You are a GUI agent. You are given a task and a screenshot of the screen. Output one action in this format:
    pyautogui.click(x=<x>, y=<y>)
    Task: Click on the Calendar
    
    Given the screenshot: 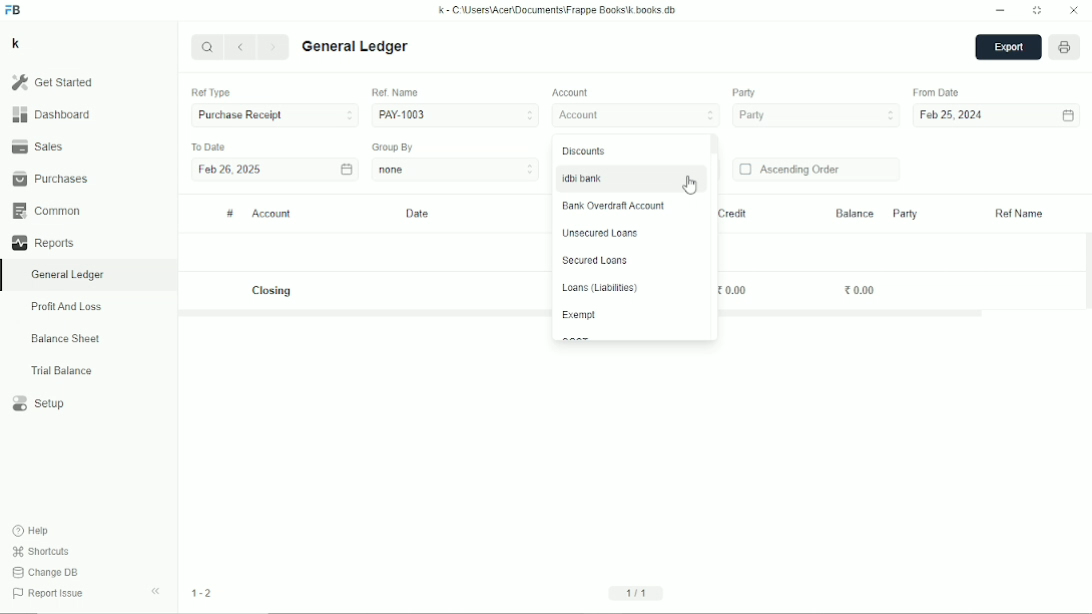 What is the action you would take?
    pyautogui.click(x=346, y=168)
    